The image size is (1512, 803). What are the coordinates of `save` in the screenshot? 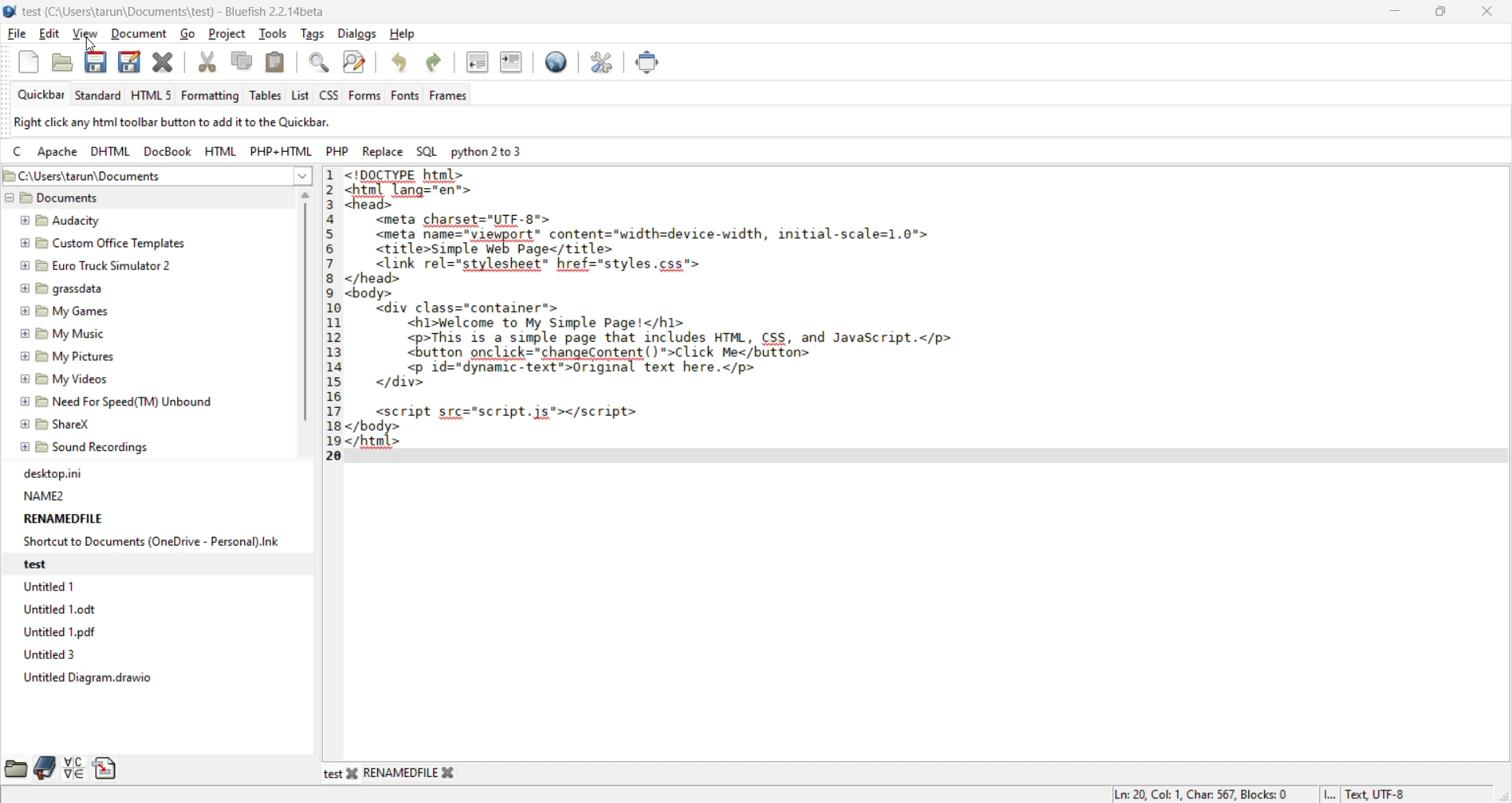 It's located at (99, 65).